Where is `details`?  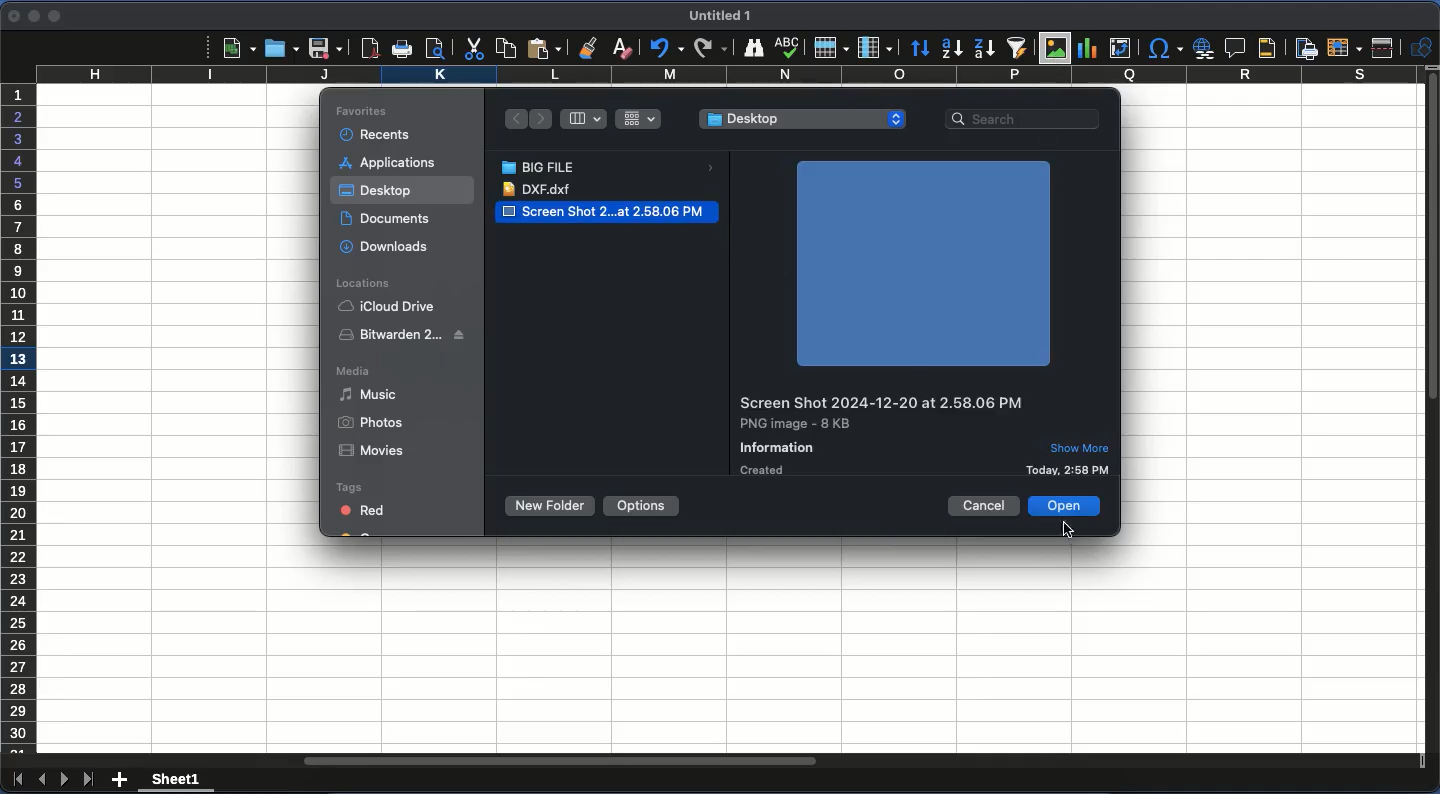 details is located at coordinates (885, 433).